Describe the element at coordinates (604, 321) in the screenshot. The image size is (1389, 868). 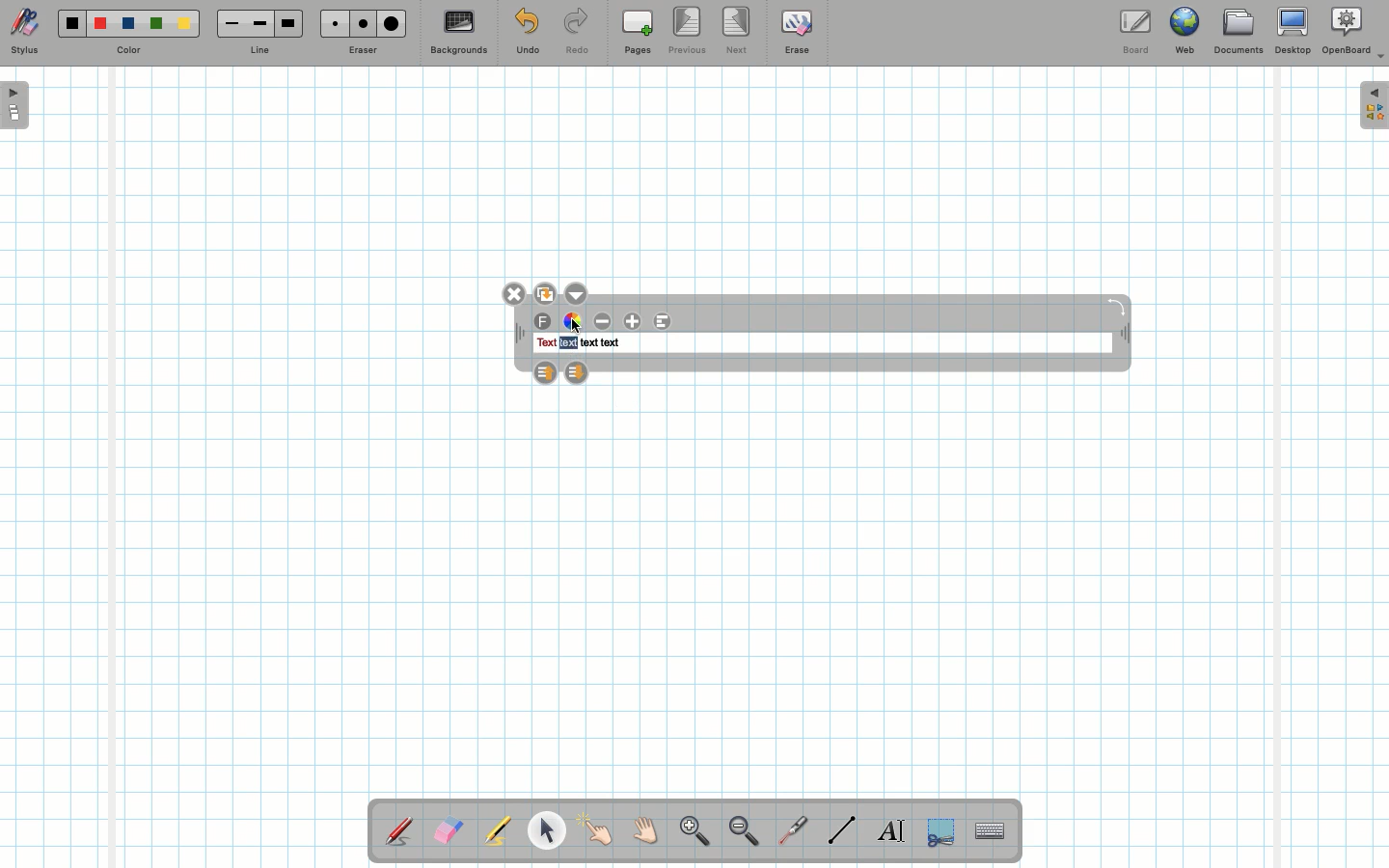
I see `Decrease font size` at that location.